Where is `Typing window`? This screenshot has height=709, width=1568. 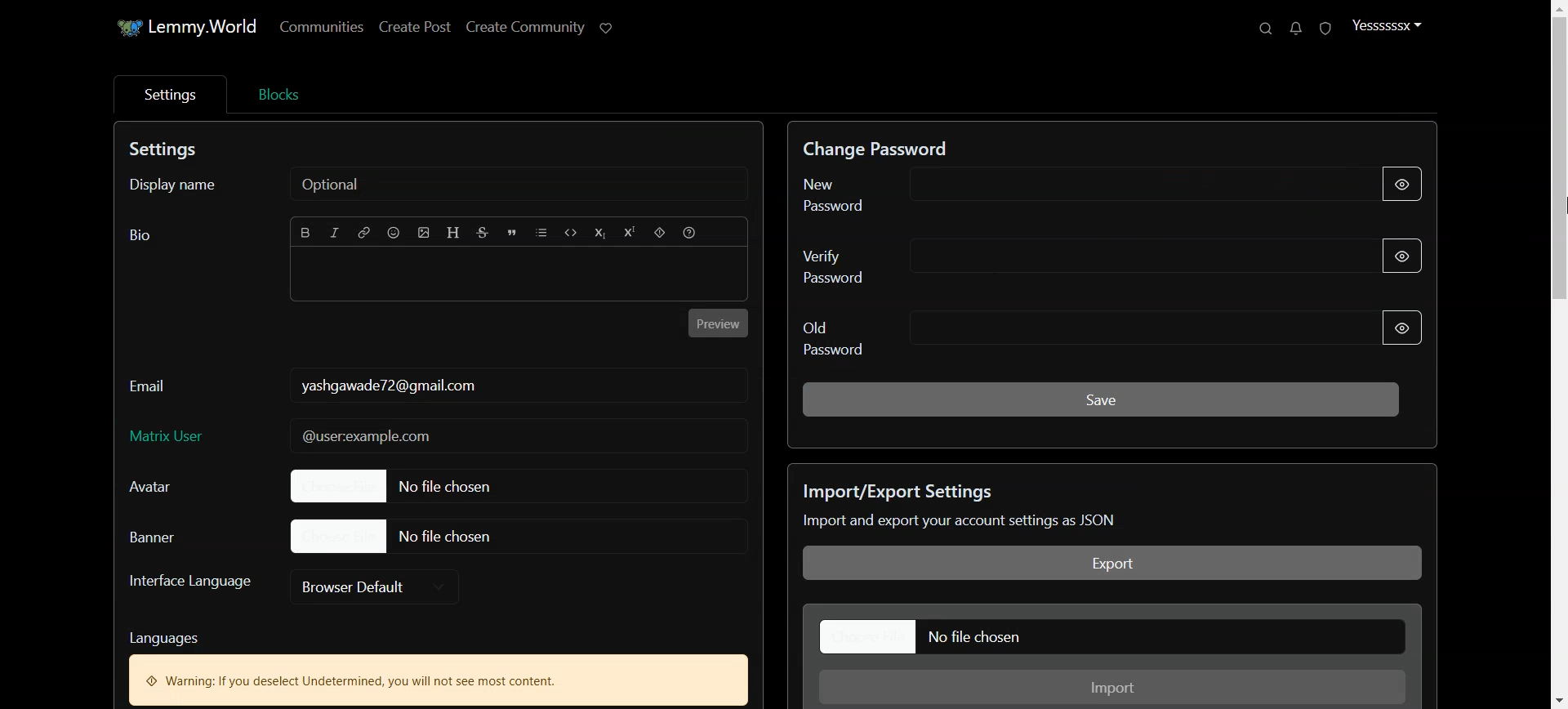 Typing window is located at coordinates (519, 274).